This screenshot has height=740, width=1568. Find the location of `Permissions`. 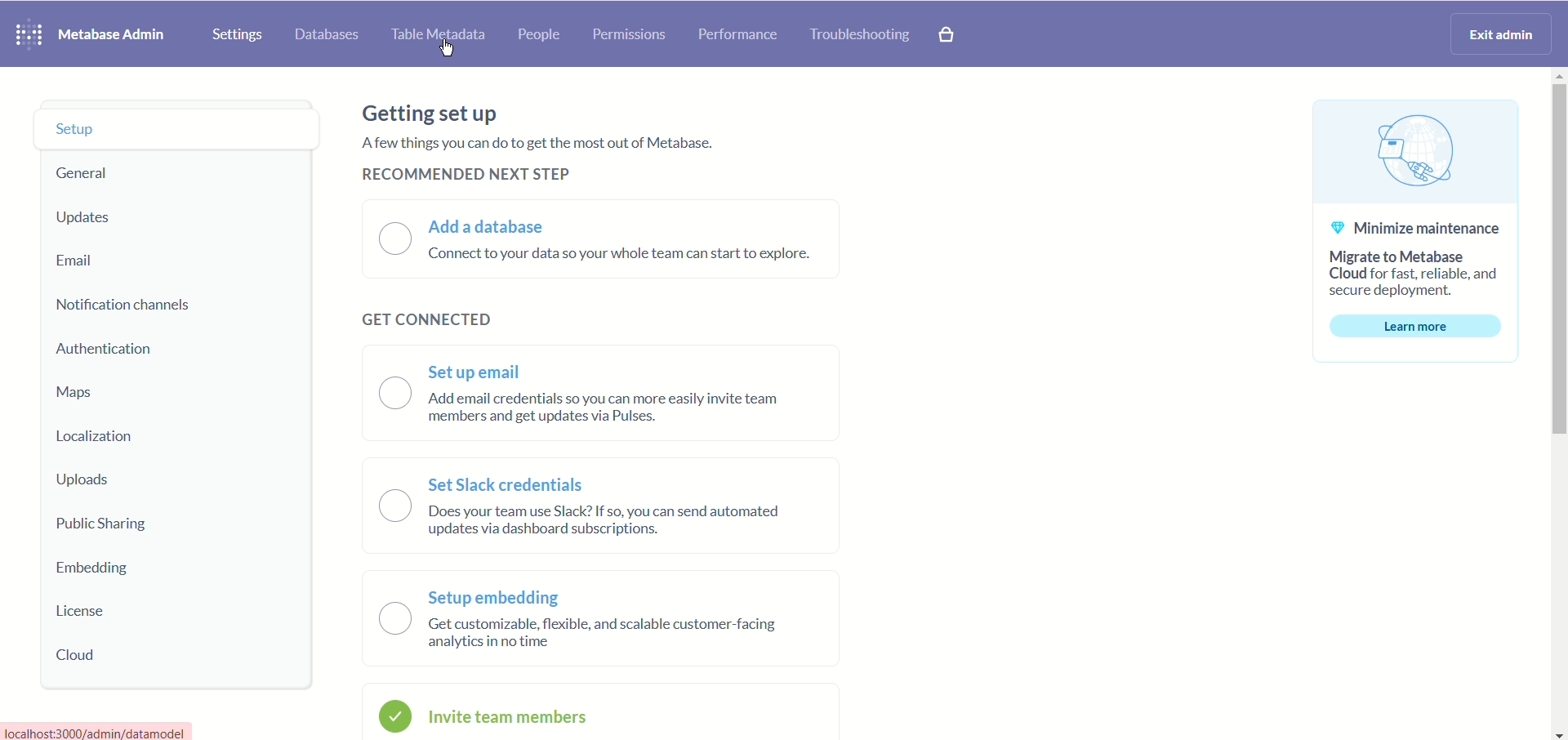

Permissions is located at coordinates (630, 37).